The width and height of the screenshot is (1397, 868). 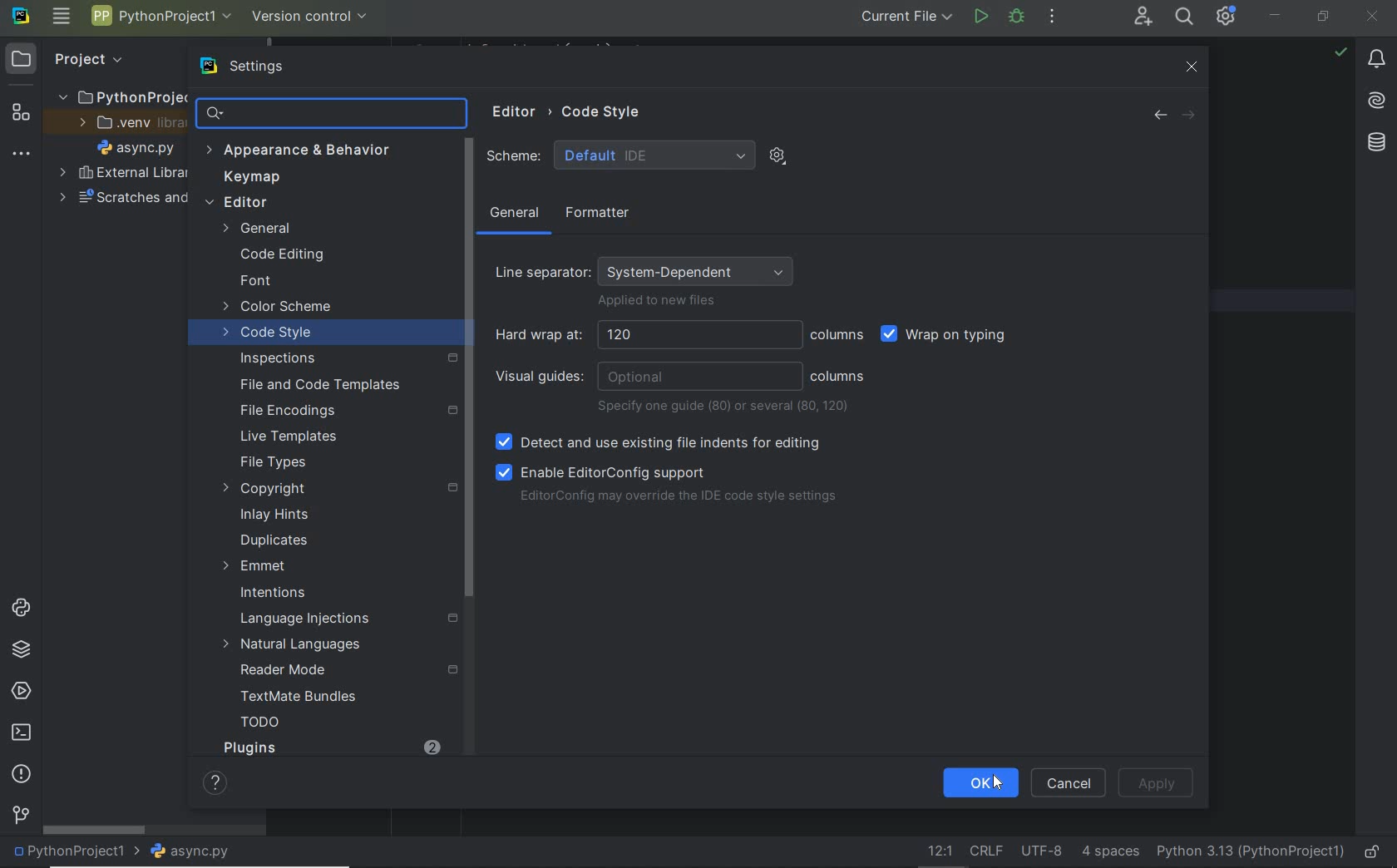 What do you see at coordinates (980, 16) in the screenshot?
I see `run` at bounding box center [980, 16].